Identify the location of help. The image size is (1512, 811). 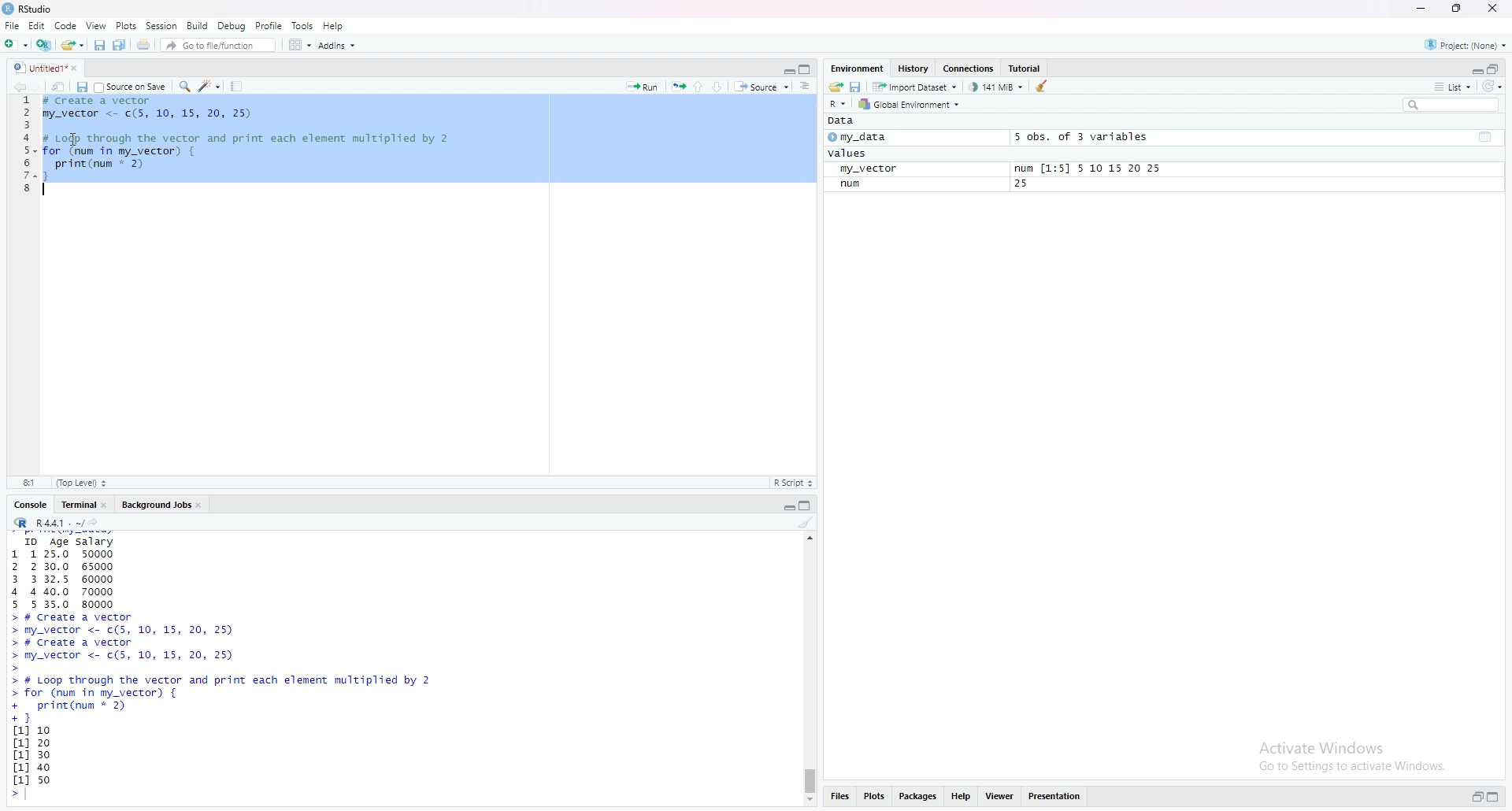
(963, 794).